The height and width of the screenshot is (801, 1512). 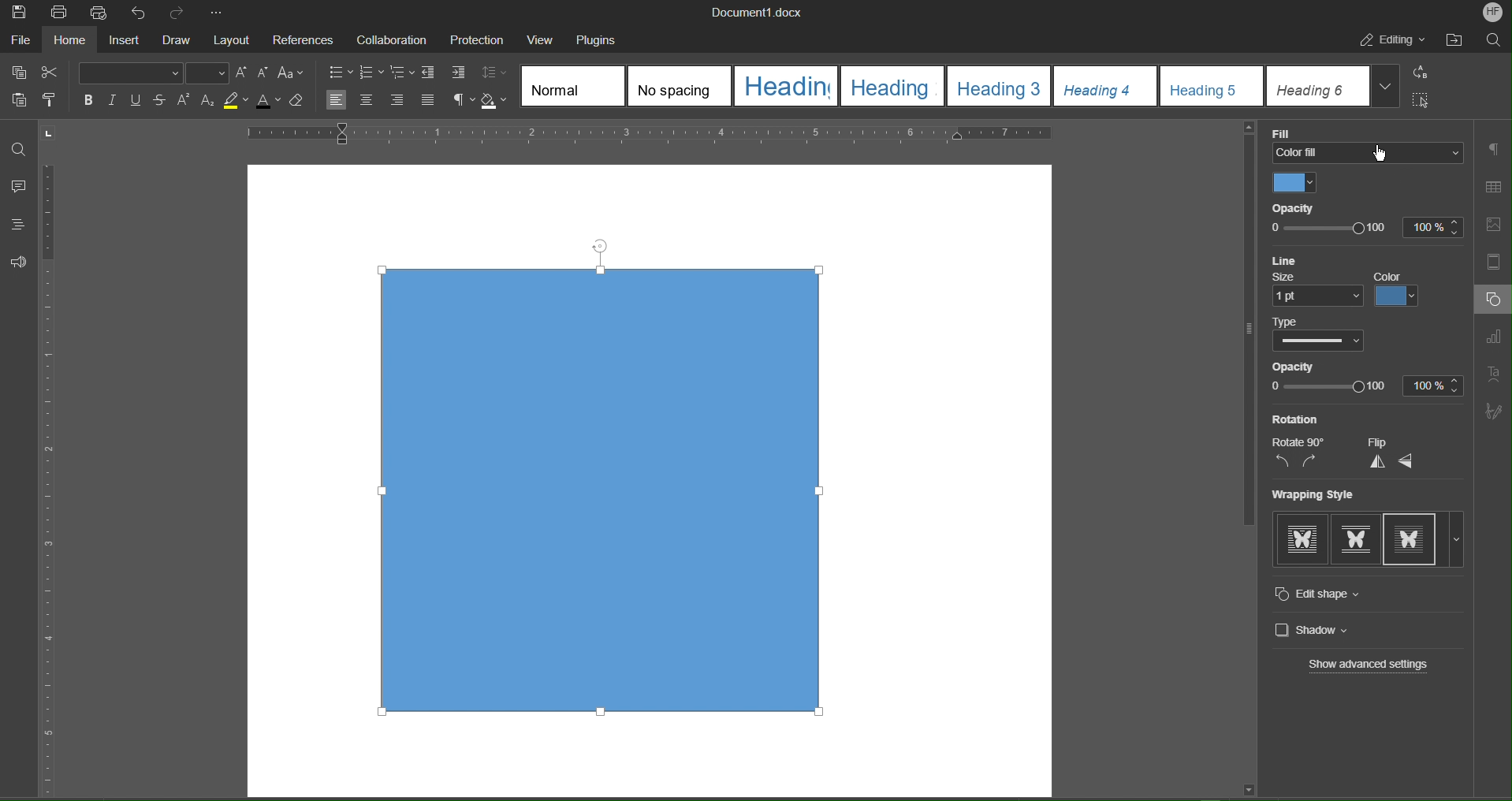 I want to click on Home, so click(x=67, y=40).